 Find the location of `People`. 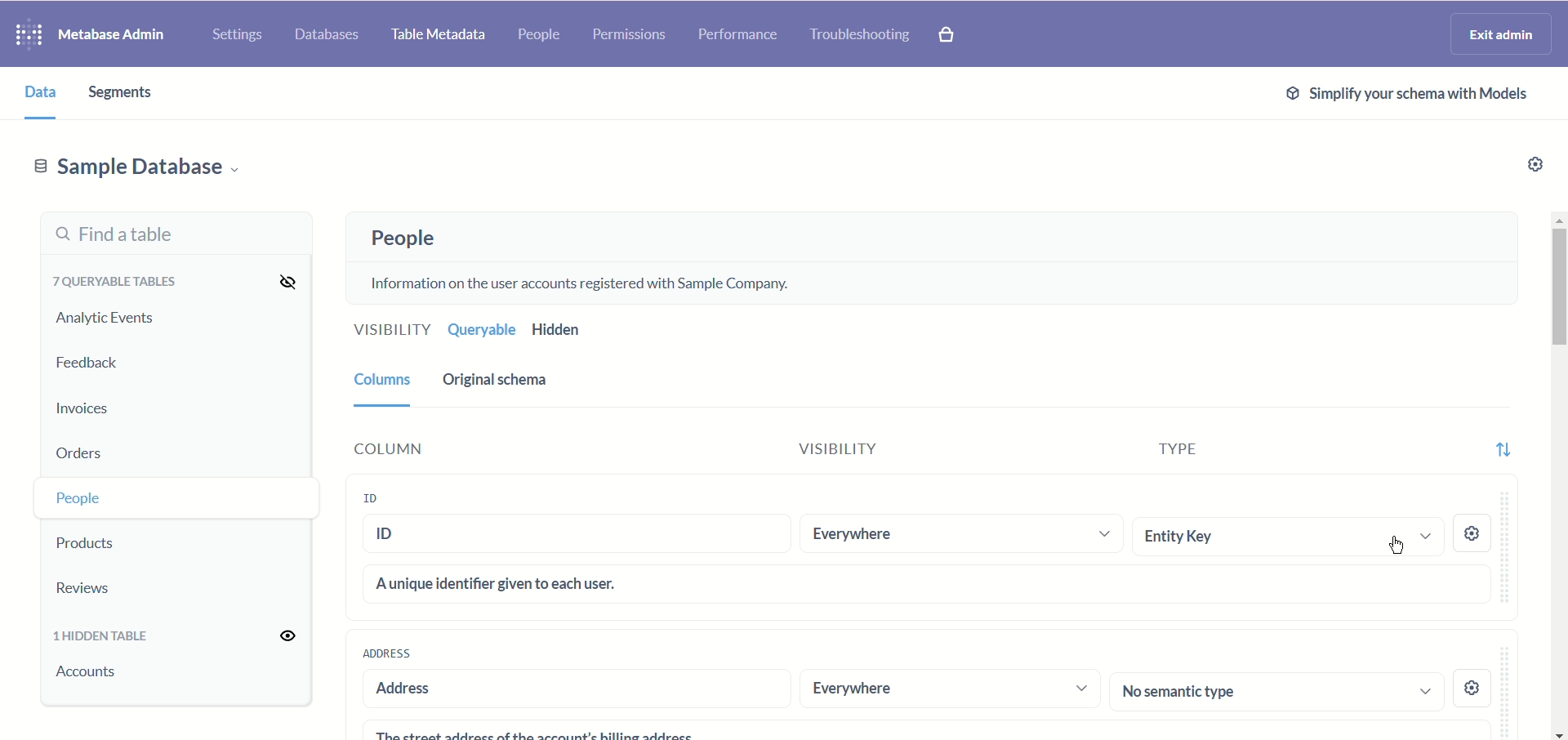

People is located at coordinates (117, 496).